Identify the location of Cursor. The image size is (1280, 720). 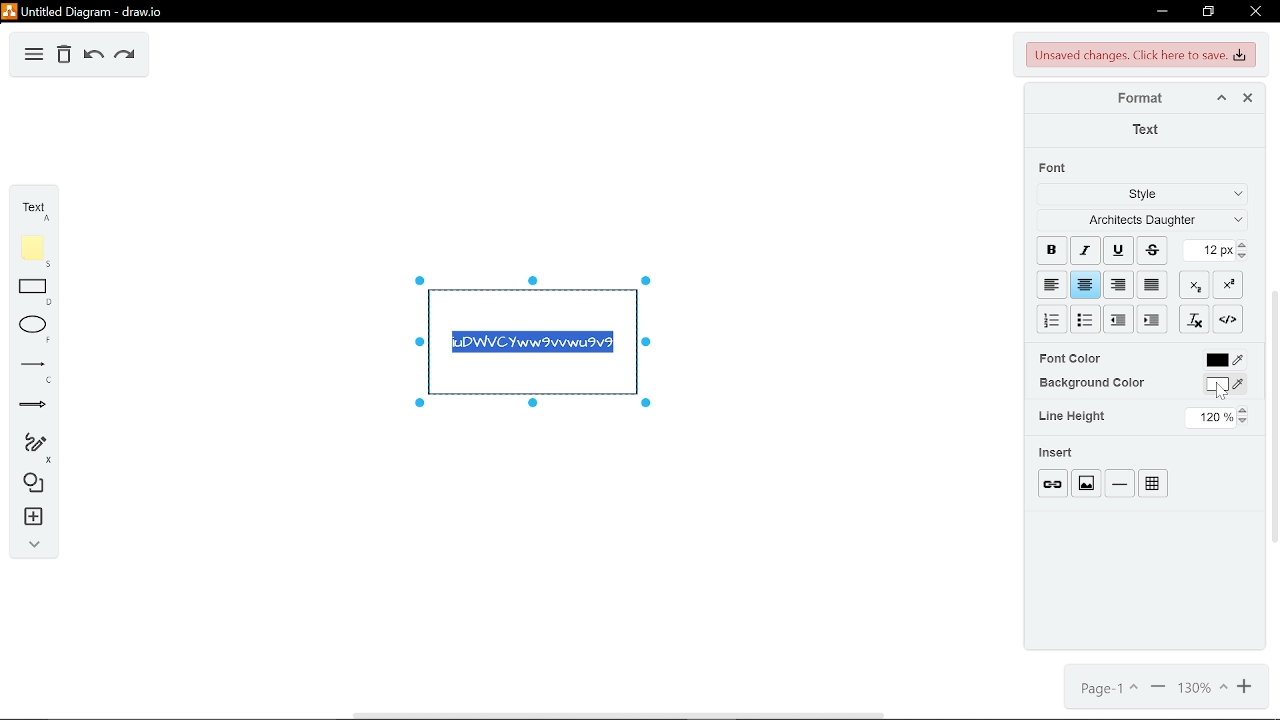
(1222, 392).